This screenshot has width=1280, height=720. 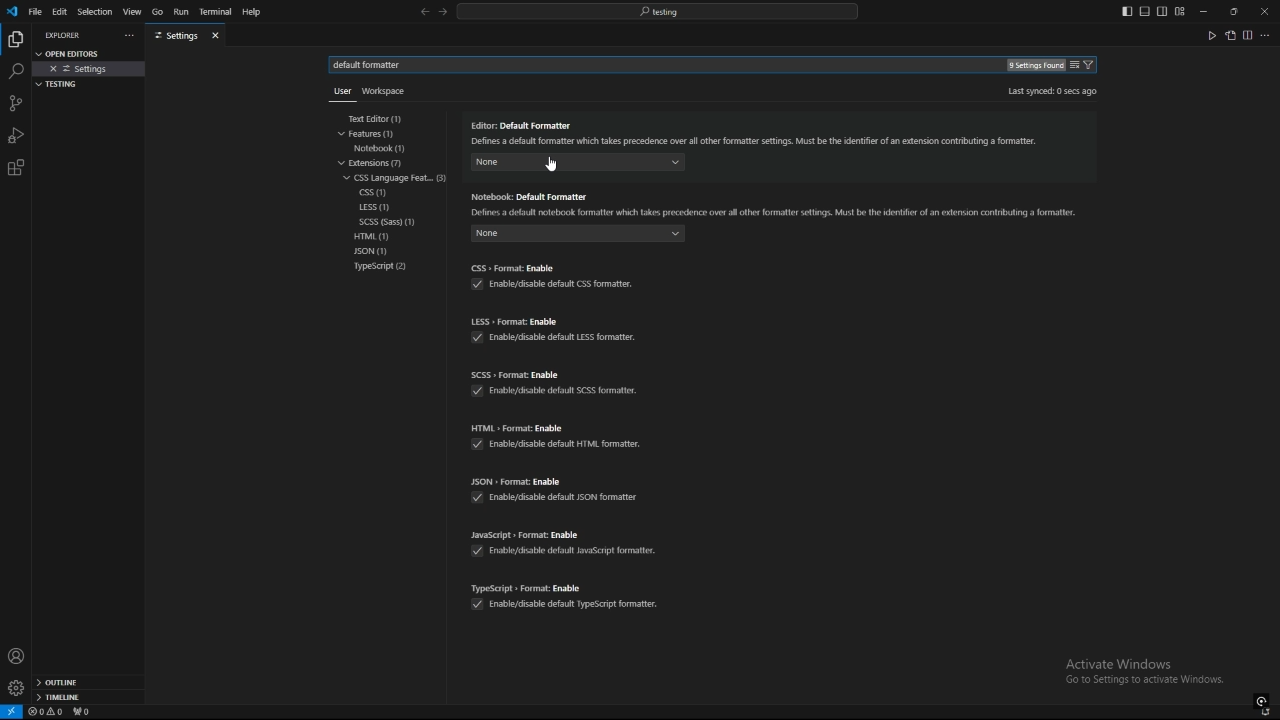 I want to click on selection, so click(x=94, y=12).